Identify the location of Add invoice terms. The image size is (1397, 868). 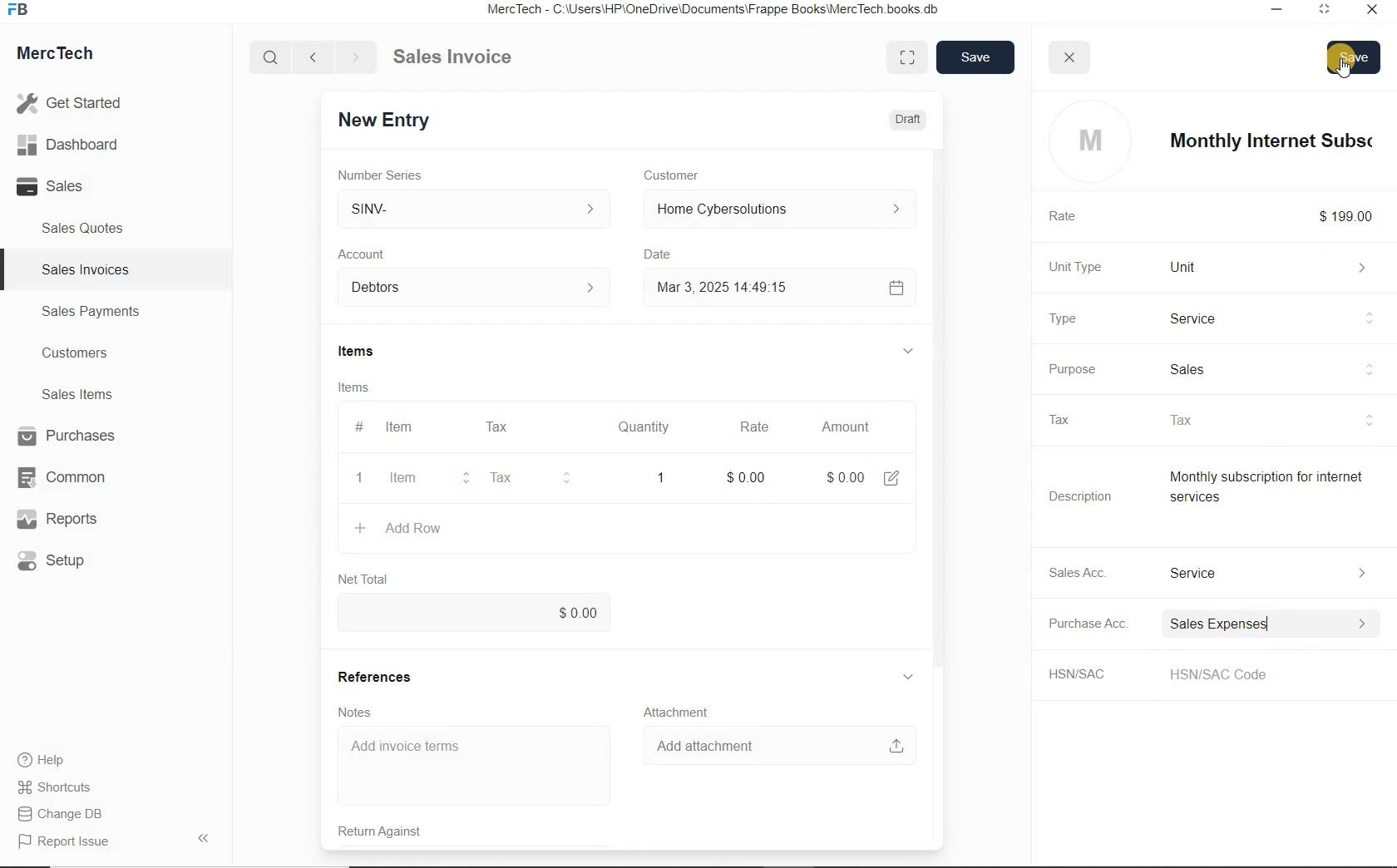
(474, 766).